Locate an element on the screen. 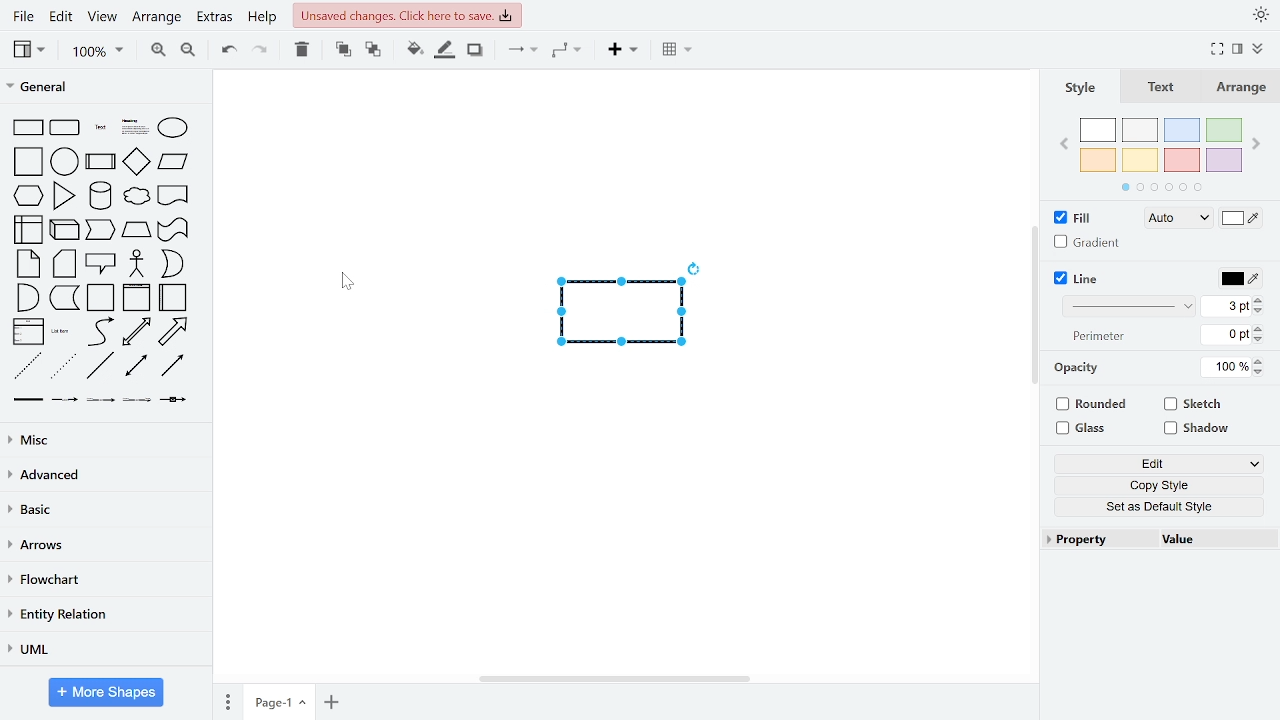  pages is located at coordinates (226, 701).